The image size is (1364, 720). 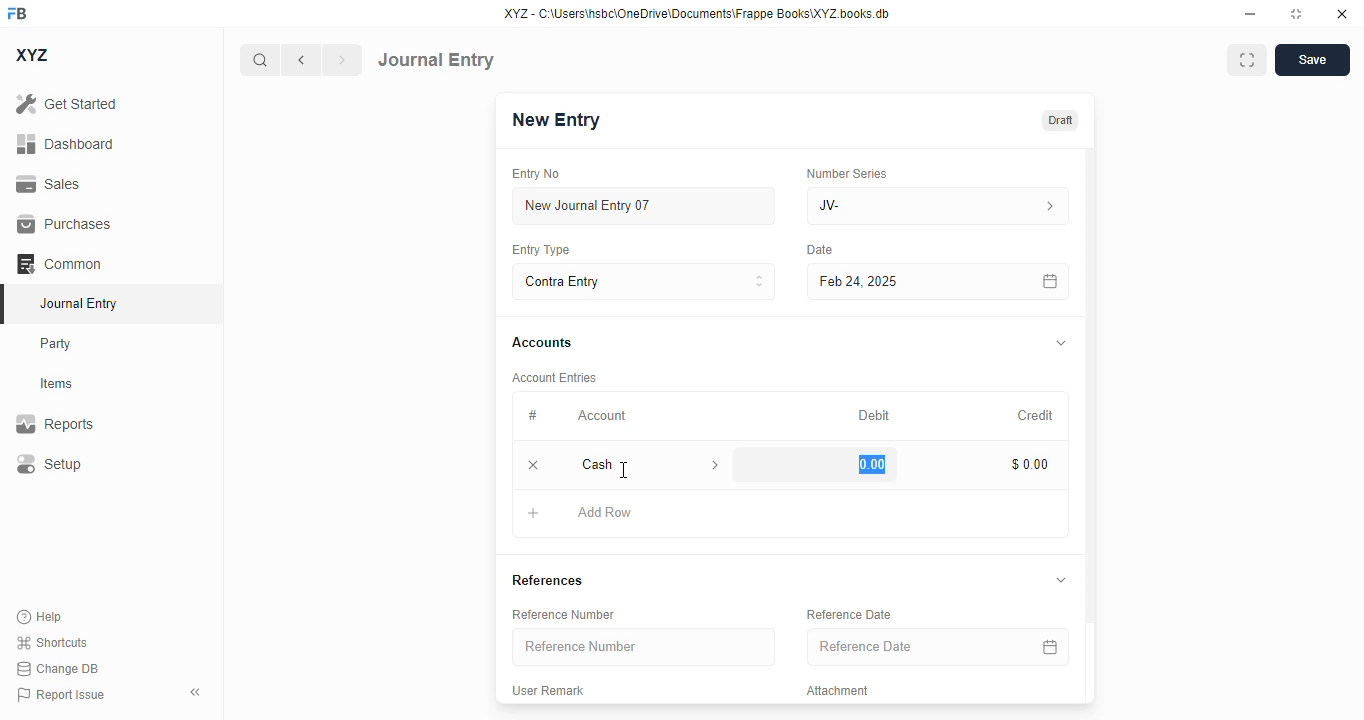 I want to click on report issue, so click(x=61, y=694).